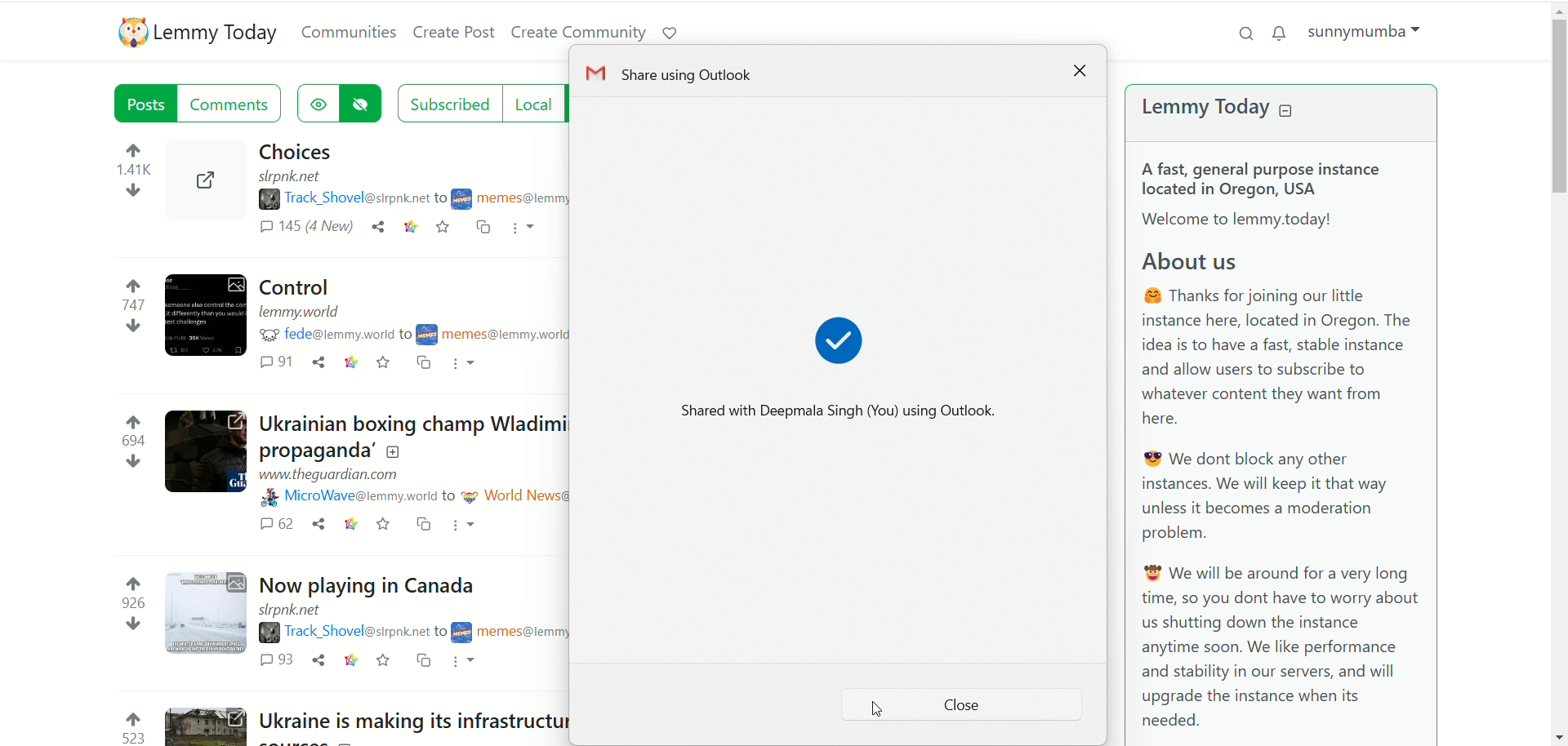 The height and width of the screenshot is (746, 1568). I want to click on create community, so click(576, 30).